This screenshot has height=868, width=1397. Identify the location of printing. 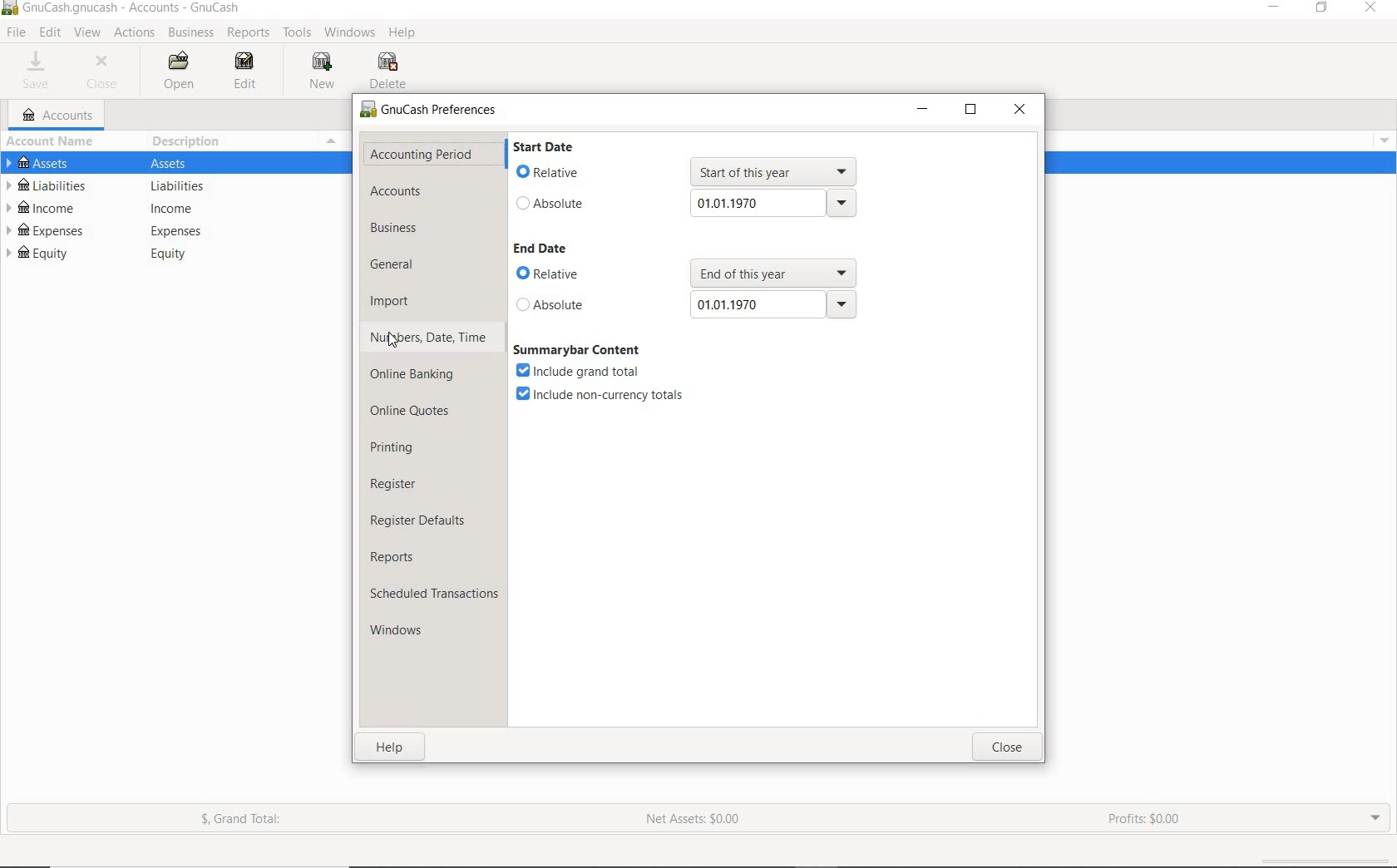
(399, 451).